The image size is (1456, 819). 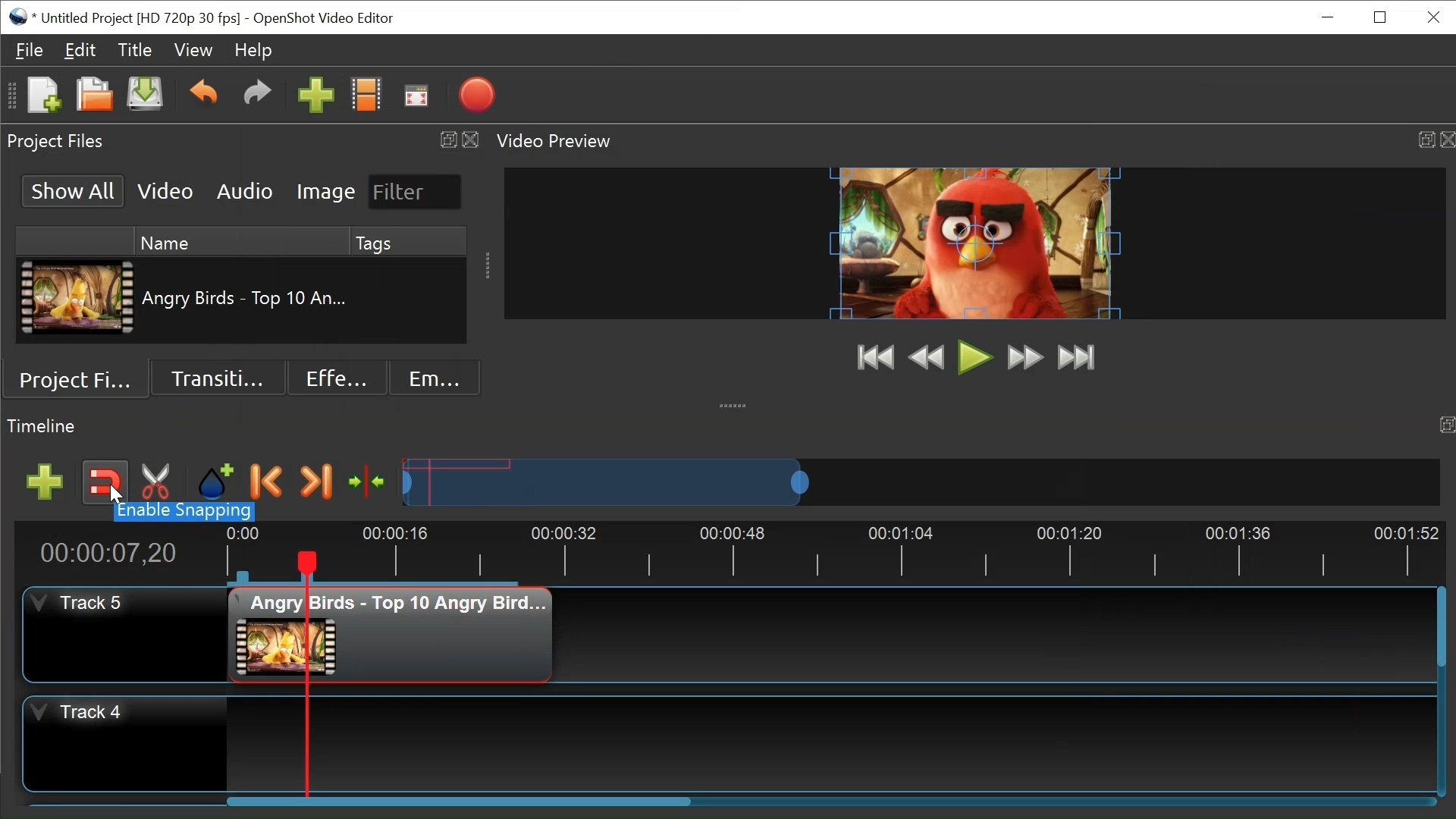 I want to click on Export Video, so click(x=476, y=95).